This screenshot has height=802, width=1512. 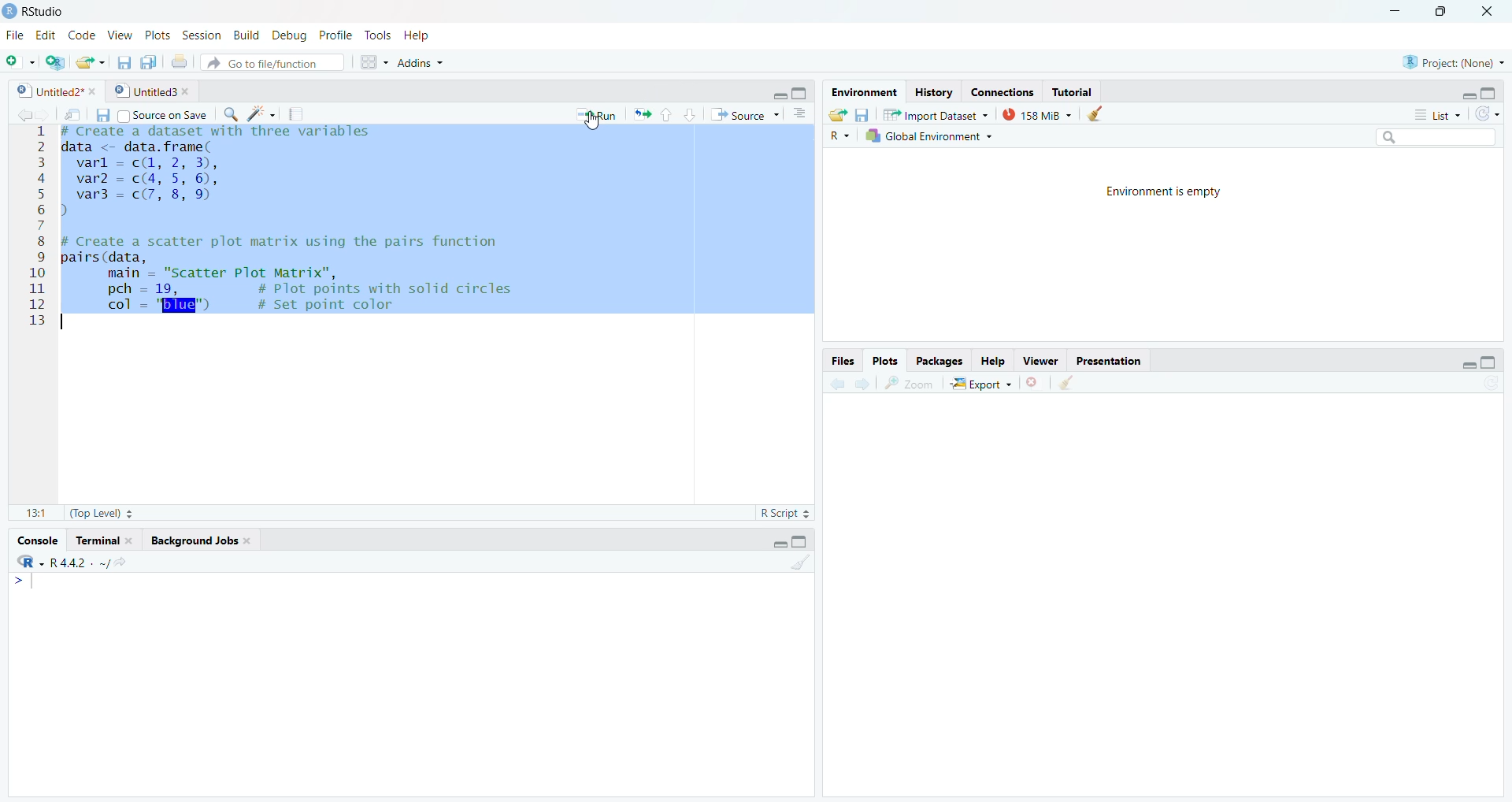 I want to click on Clear all viewer items, so click(x=1075, y=385).